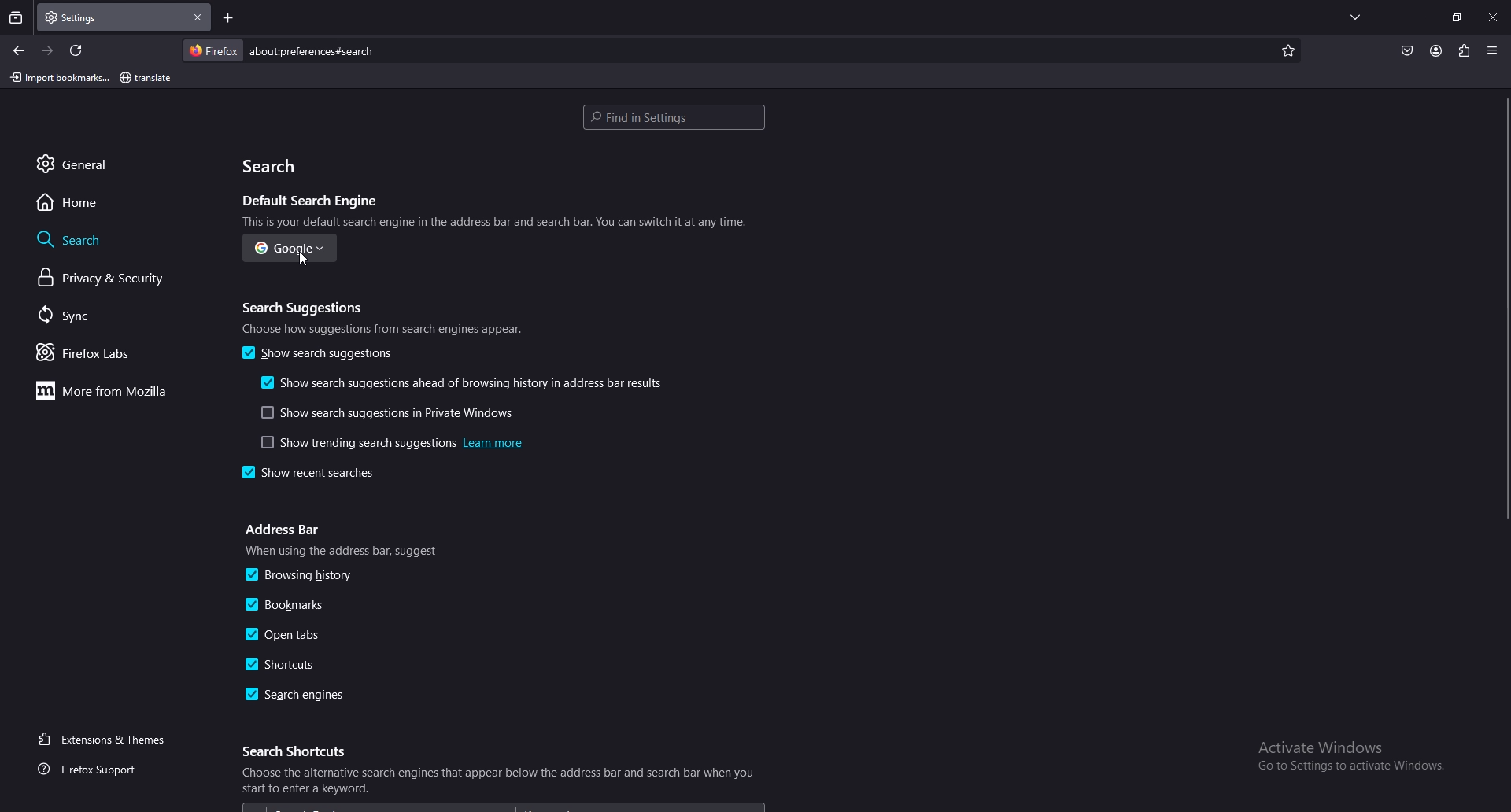 This screenshot has width=1511, height=812. Describe the element at coordinates (320, 354) in the screenshot. I see `show search suggestions` at that location.